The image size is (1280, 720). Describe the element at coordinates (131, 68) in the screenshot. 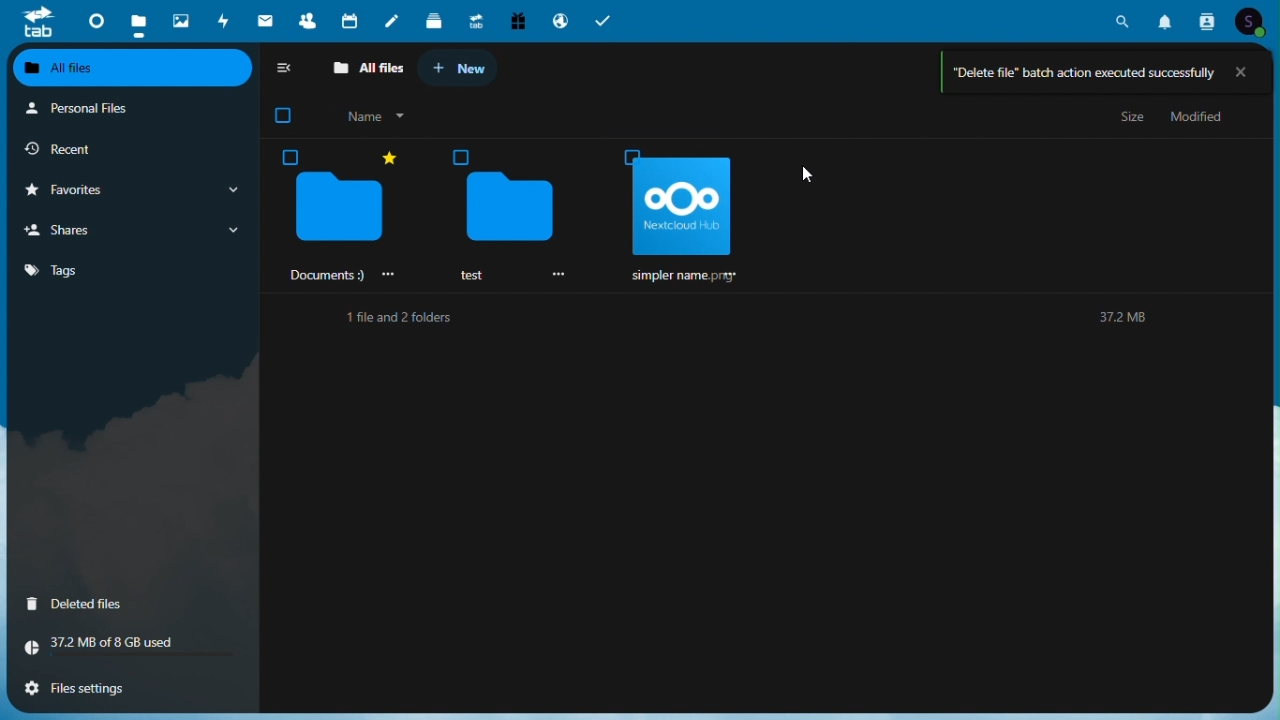

I see `All files` at that location.